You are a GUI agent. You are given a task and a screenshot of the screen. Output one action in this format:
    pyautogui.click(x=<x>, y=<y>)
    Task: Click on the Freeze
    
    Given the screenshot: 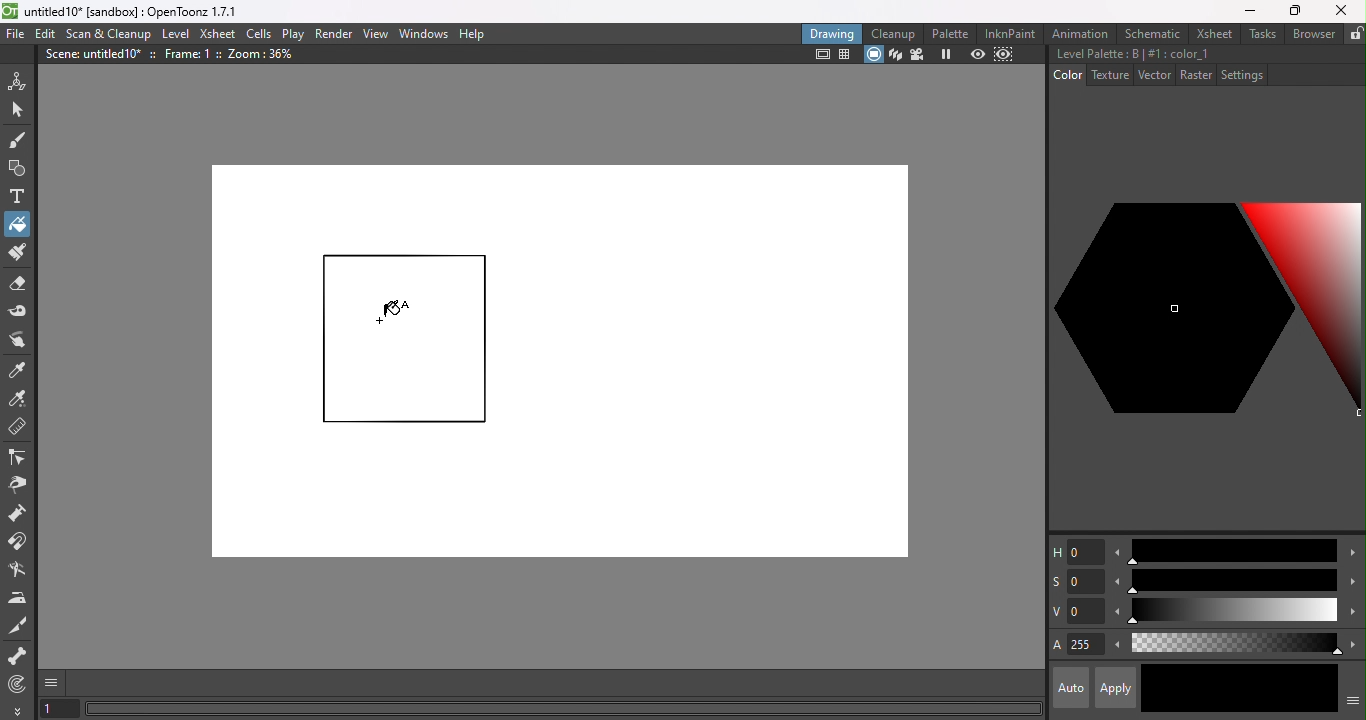 What is the action you would take?
    pyautogui.click(x=947, y=56)
    